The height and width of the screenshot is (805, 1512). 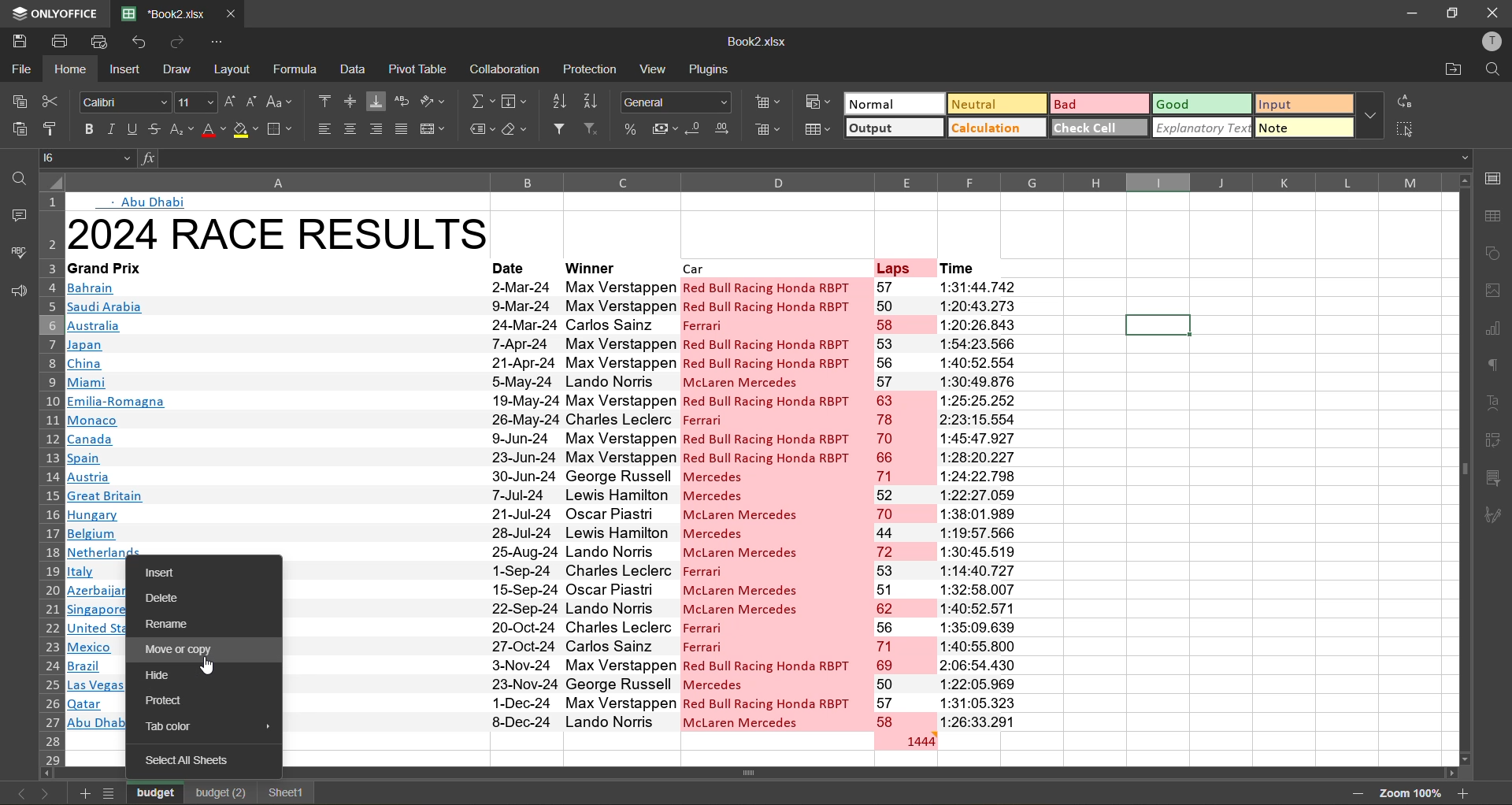 What do you see at coordinates (17, 129) in the screenshot?
I see `paste` at bounding box center [17, 129].